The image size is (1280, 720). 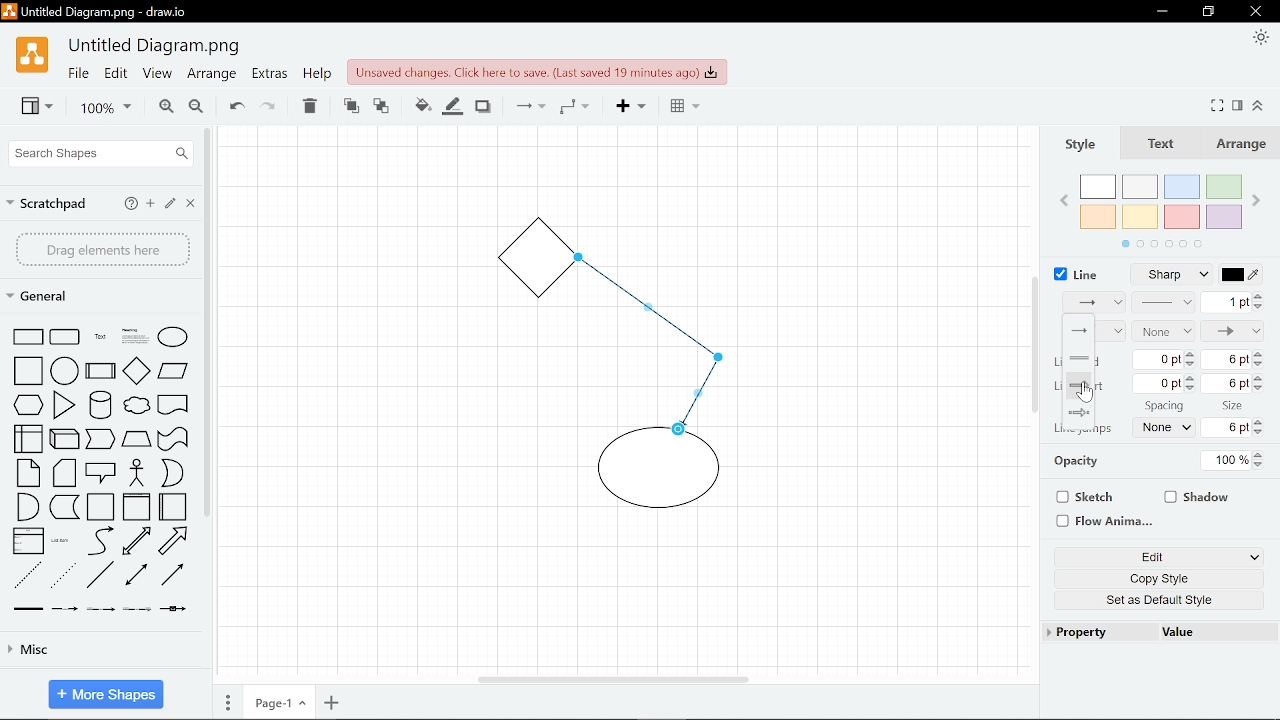 I want to click on Colours, so click(x=1168, y=209).